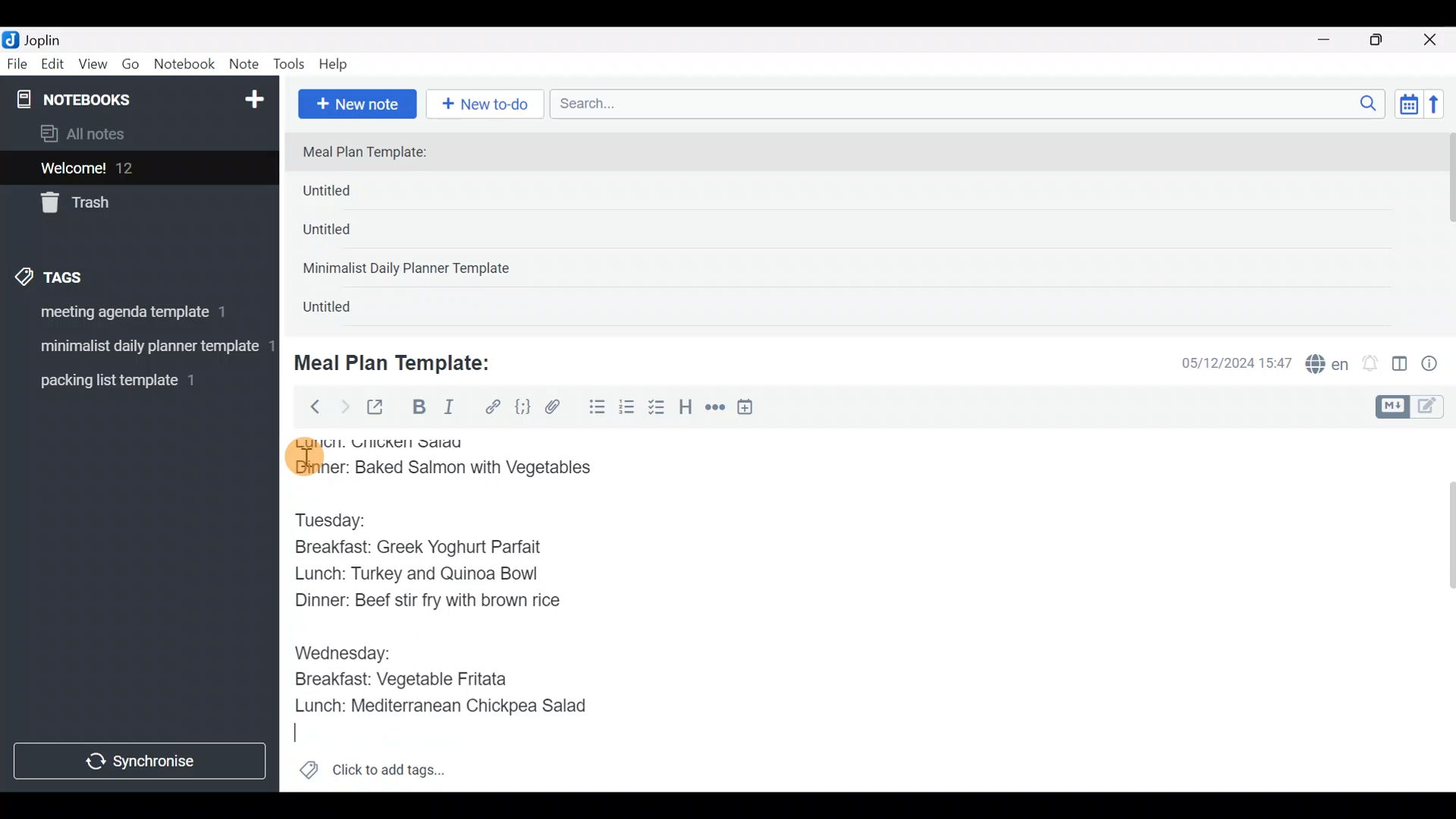  Describe the element at coordinates (1432, 41) in the screenshot. I see `Close` at that location.